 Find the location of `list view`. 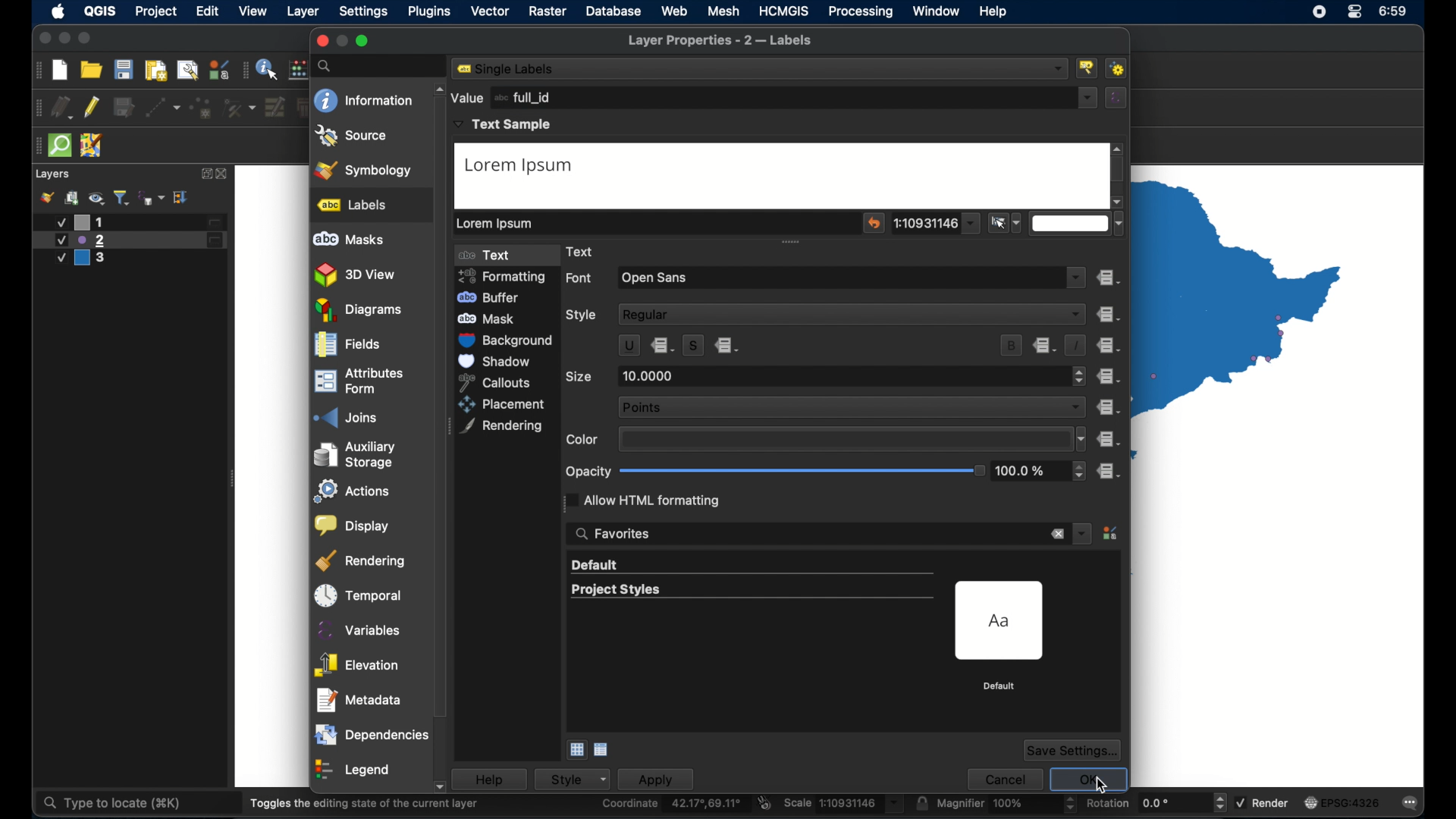

list view is located at coordinates (602, 750).